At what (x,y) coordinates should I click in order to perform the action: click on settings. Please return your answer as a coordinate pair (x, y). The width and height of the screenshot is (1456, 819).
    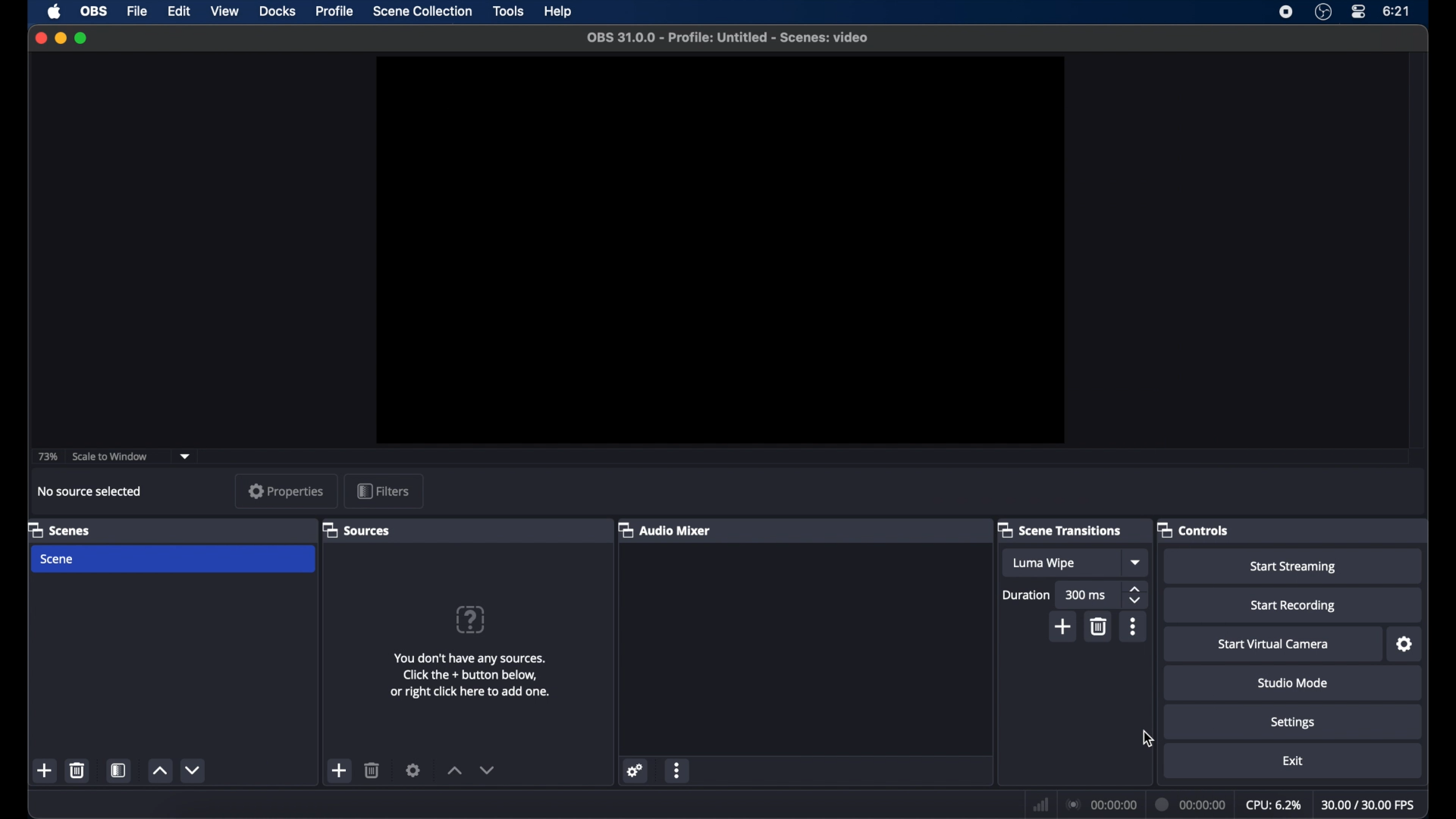
    Looking at the image, I should click on (1405, 645).